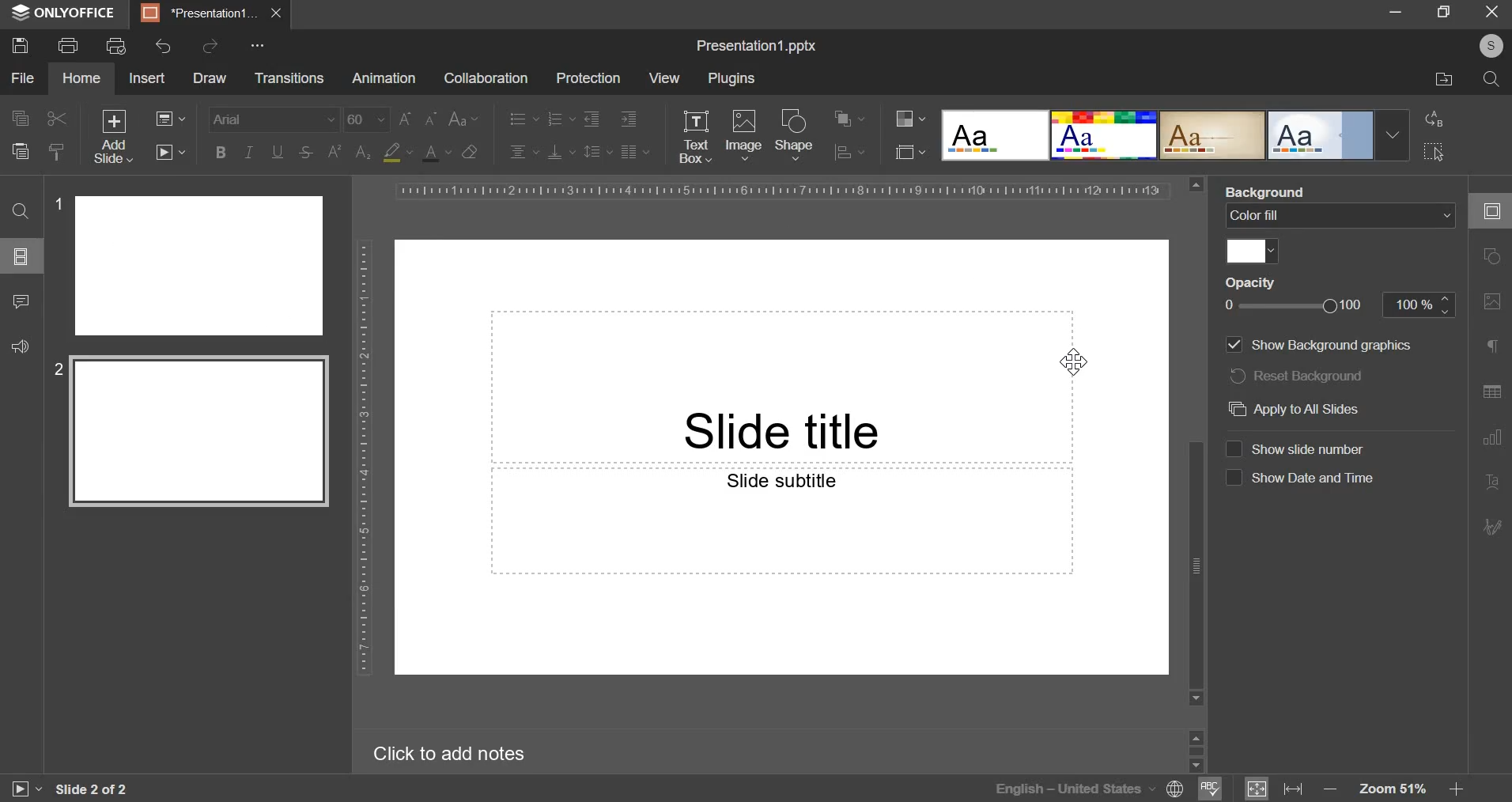 Image resolution: width=1512 pixels, height=802 pixels. What do you see at coordinates (1075, 367) in the screenshot?
I see `mouse pointer` at bounding box center [1075, 367].